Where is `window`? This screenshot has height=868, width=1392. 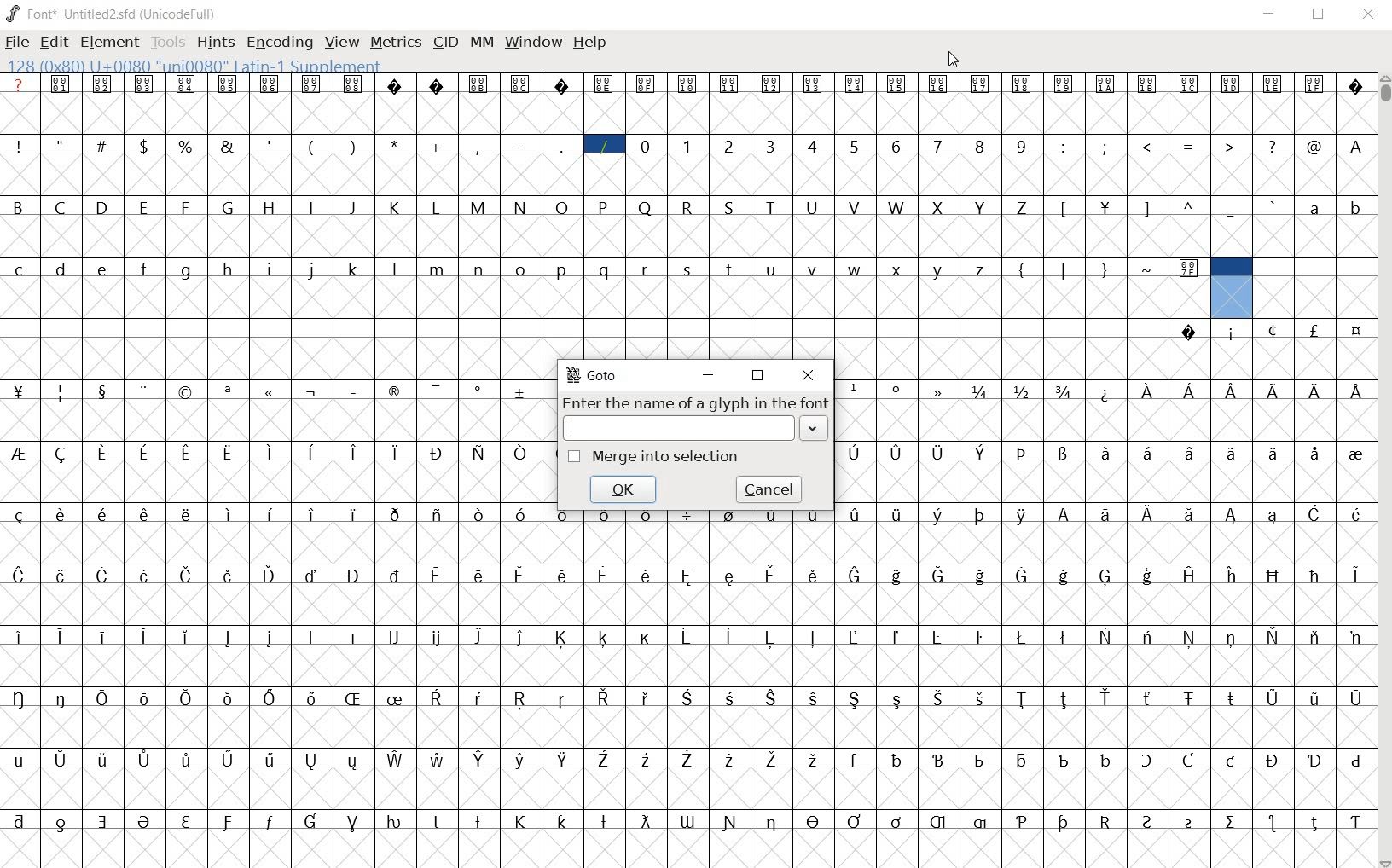 window is located at coordinates (533, 43).